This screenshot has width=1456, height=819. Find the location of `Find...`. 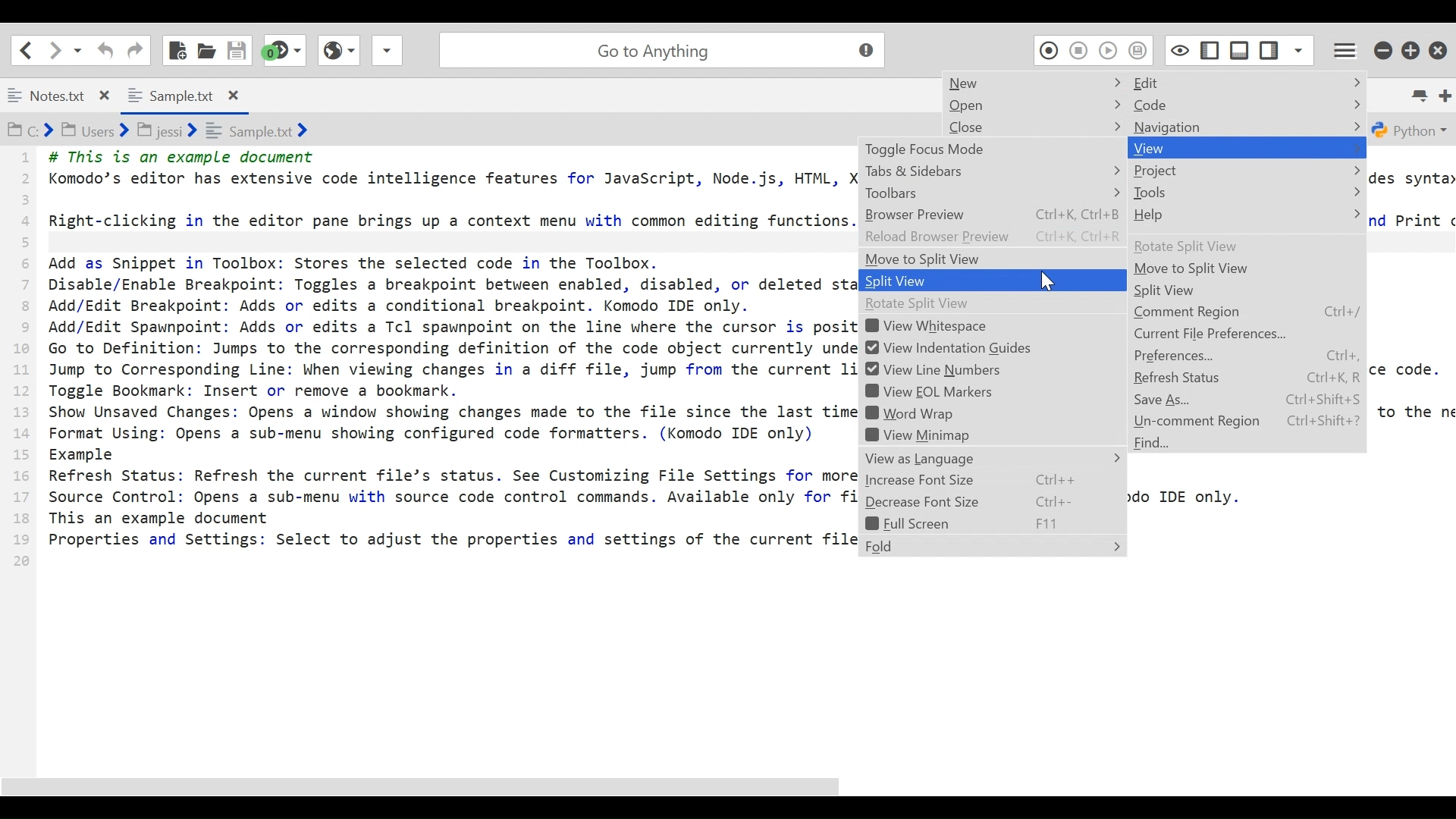

Find... is located at coordinates (1247, 444).